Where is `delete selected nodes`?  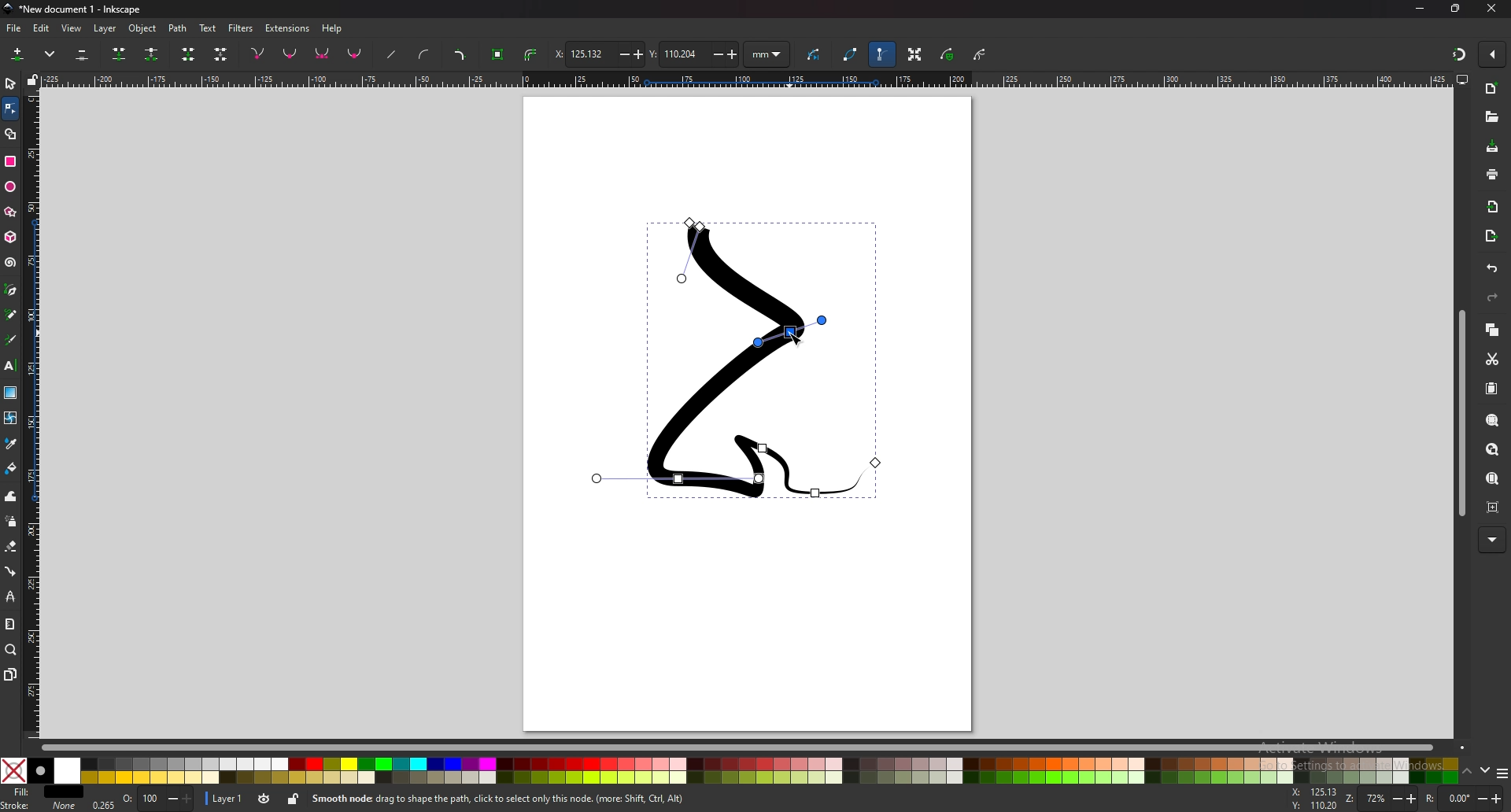
delete selected nodes is located at coordinates (81, 55).